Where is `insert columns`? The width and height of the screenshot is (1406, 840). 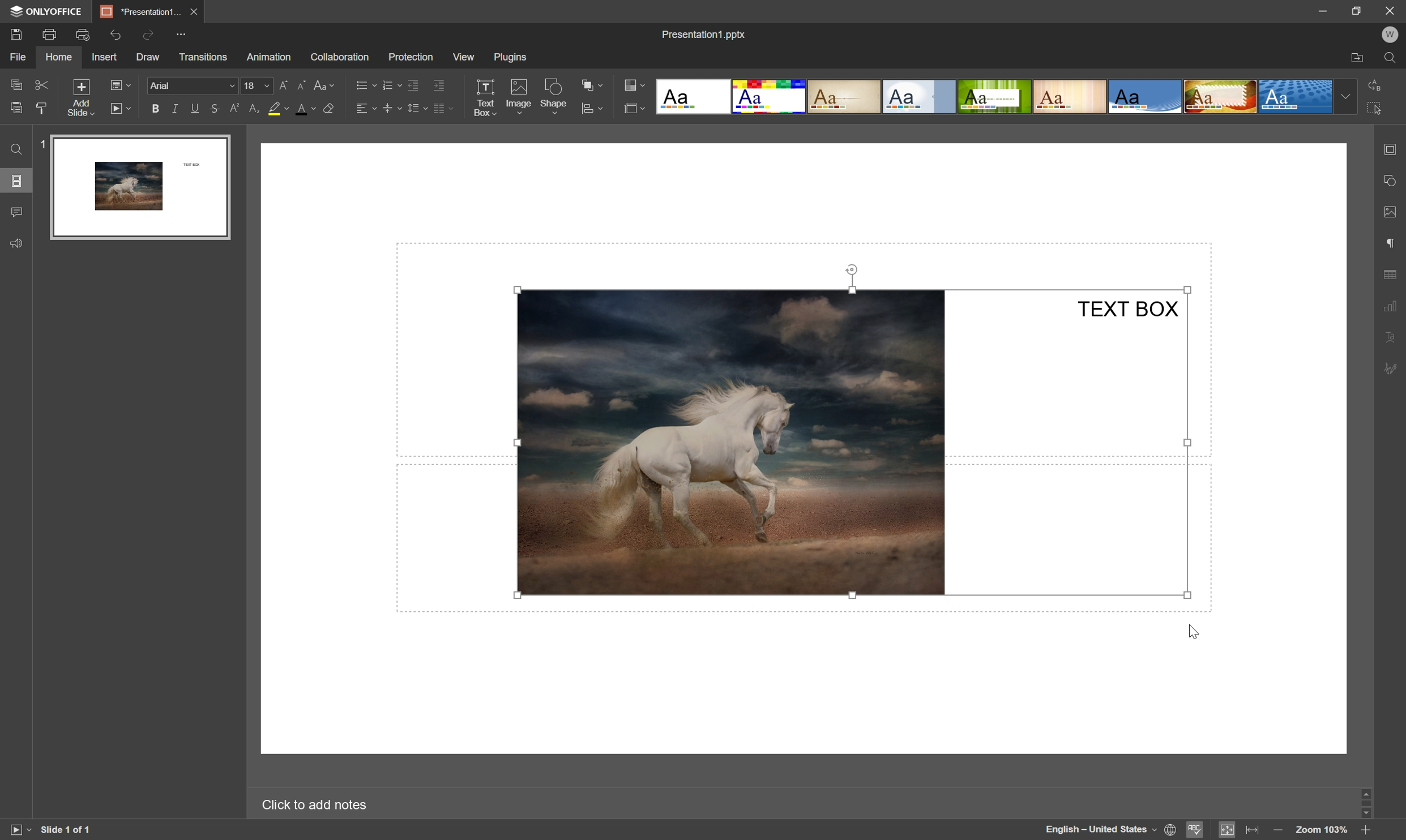
insert columns is located at coordinates (443, 108).